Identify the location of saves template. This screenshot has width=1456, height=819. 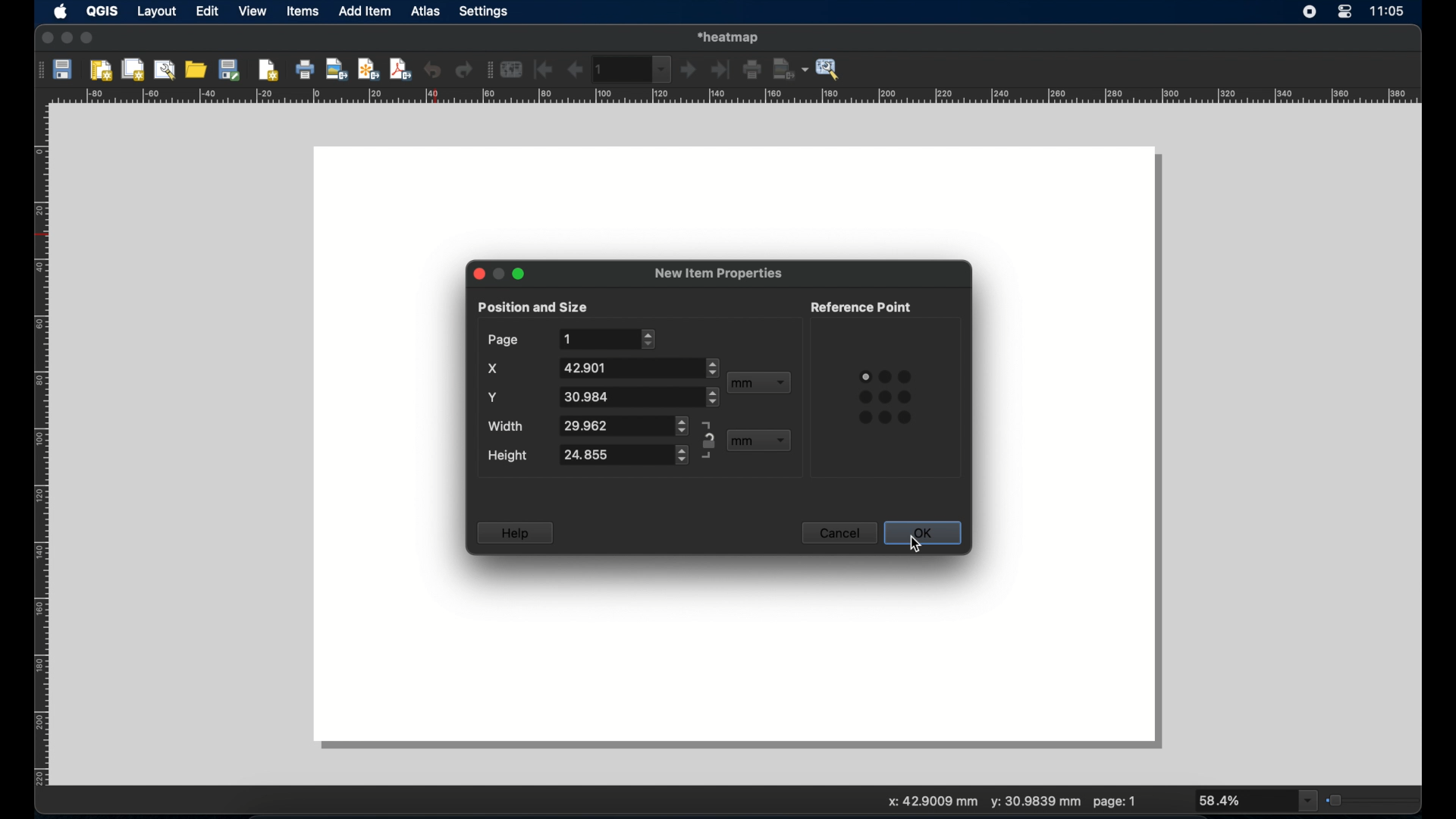
(232, 69).